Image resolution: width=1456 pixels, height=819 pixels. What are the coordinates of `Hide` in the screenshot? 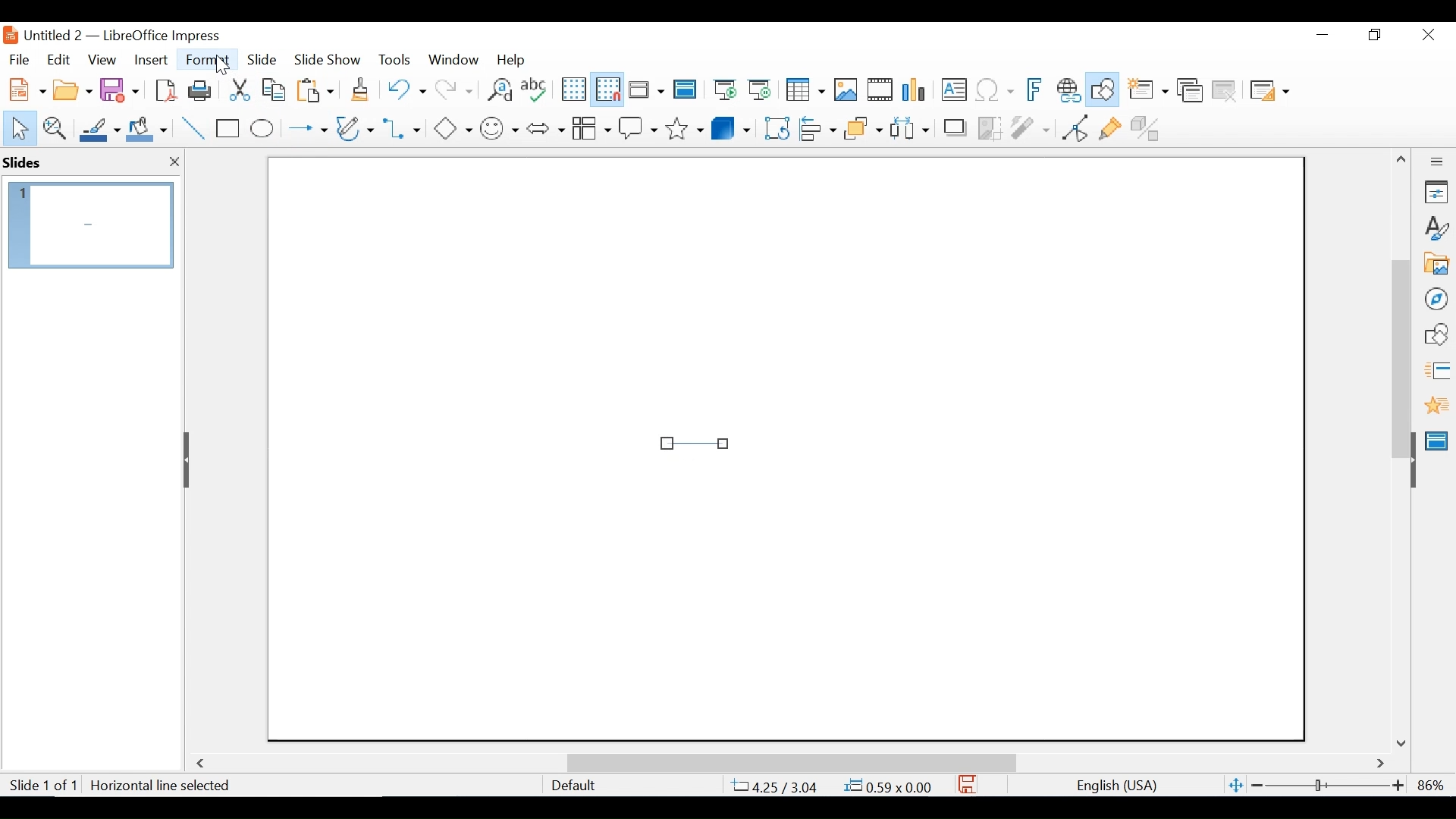 It's located at (1412, 457).